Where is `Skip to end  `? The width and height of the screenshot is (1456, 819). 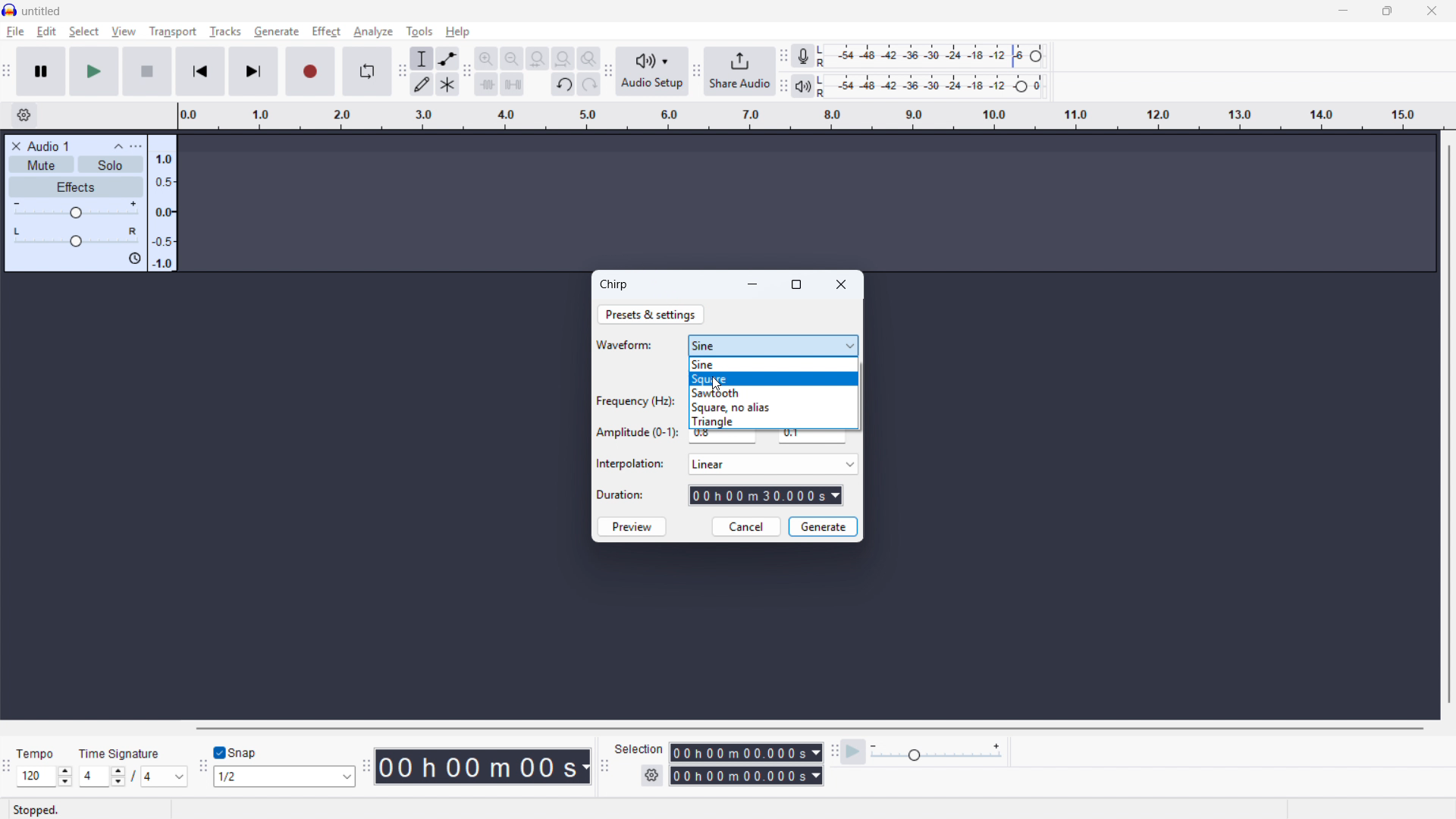
Skip to end   is located at coordinates (253, 71).